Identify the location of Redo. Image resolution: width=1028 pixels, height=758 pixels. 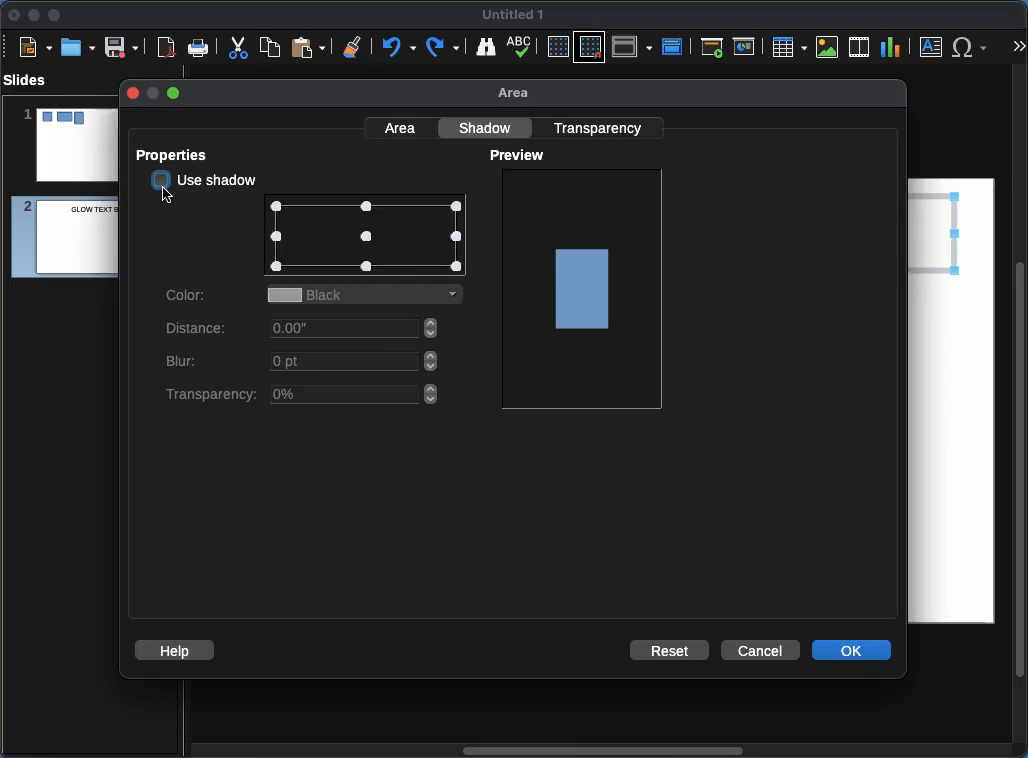
(444, 47).